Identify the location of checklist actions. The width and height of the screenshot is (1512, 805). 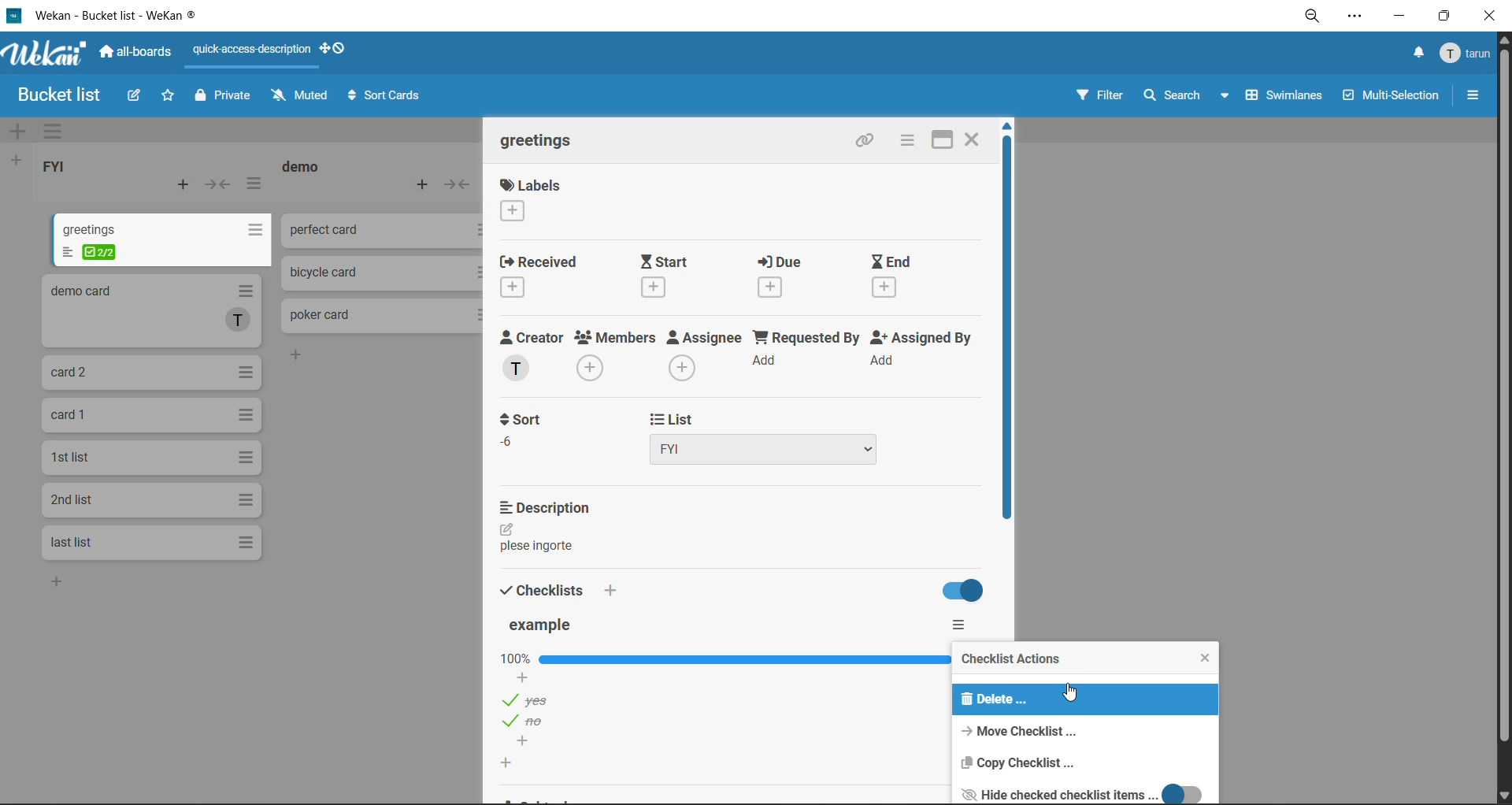
(968, 625).